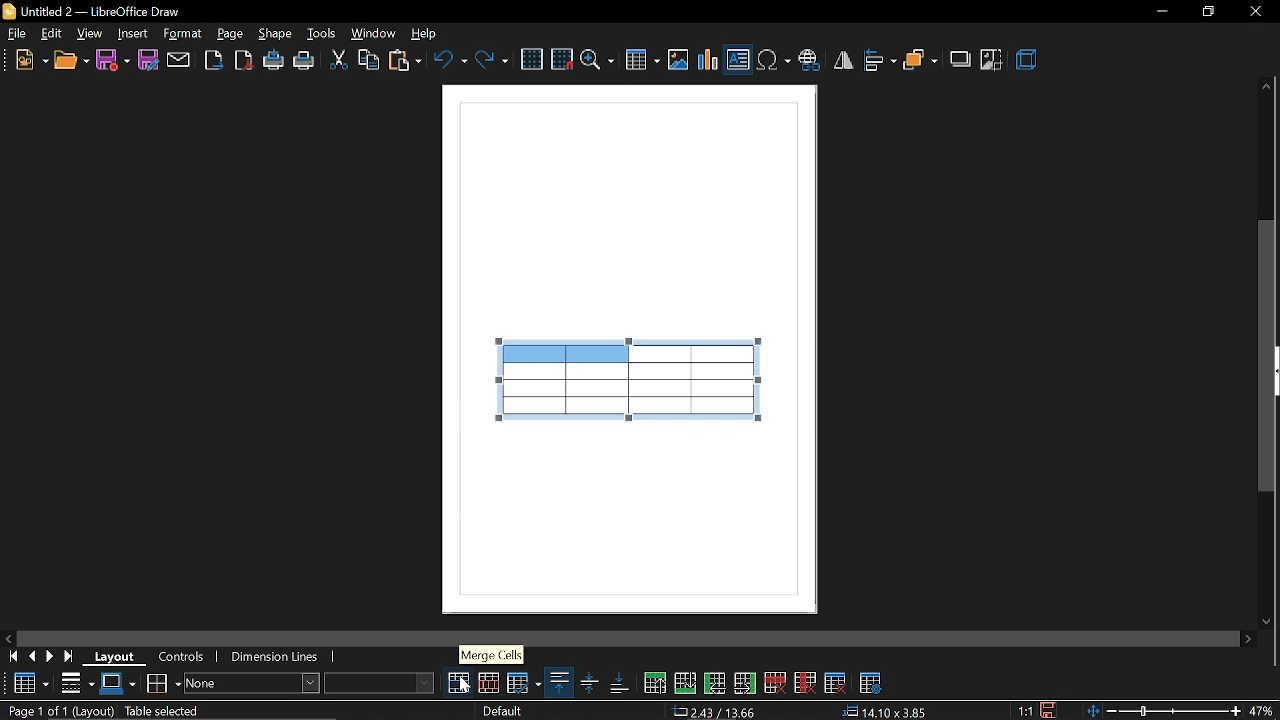  What do you see at coordinates (805, 683) in the screenshot?
I see `delete column` at bounding box center [805, 683].